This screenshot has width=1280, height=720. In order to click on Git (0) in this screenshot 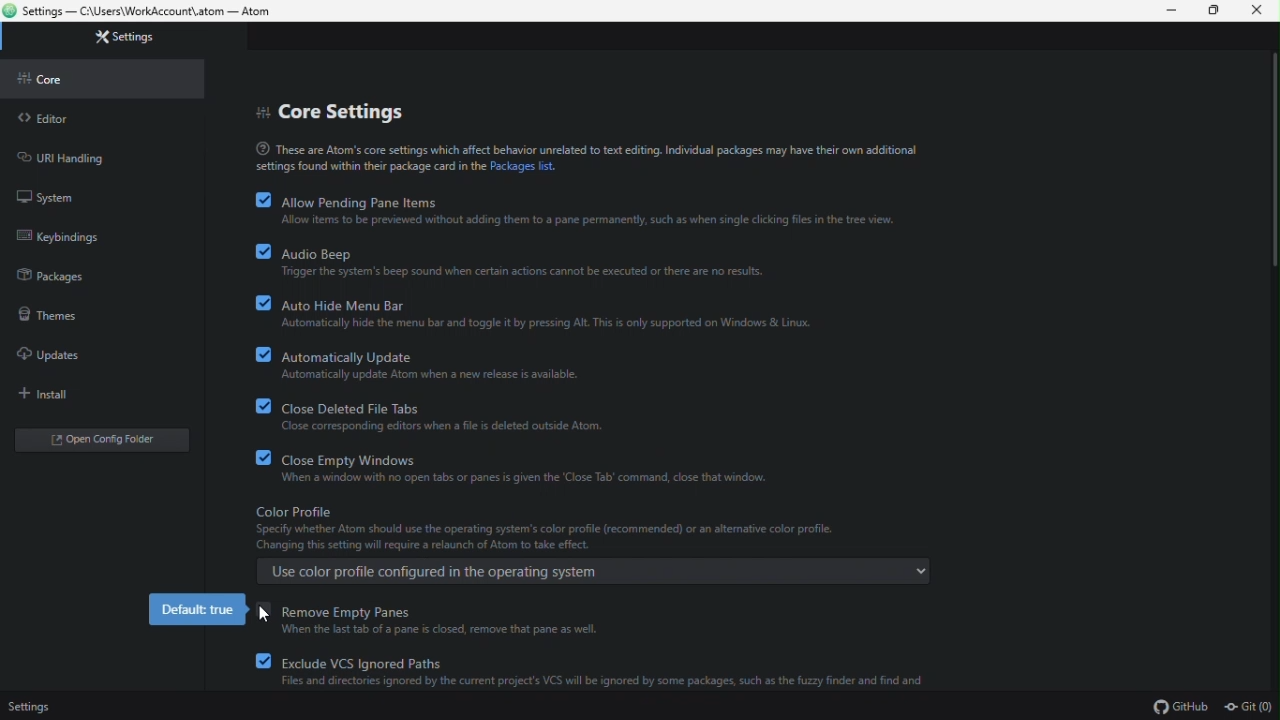, I will do `click(1247, 708)`.